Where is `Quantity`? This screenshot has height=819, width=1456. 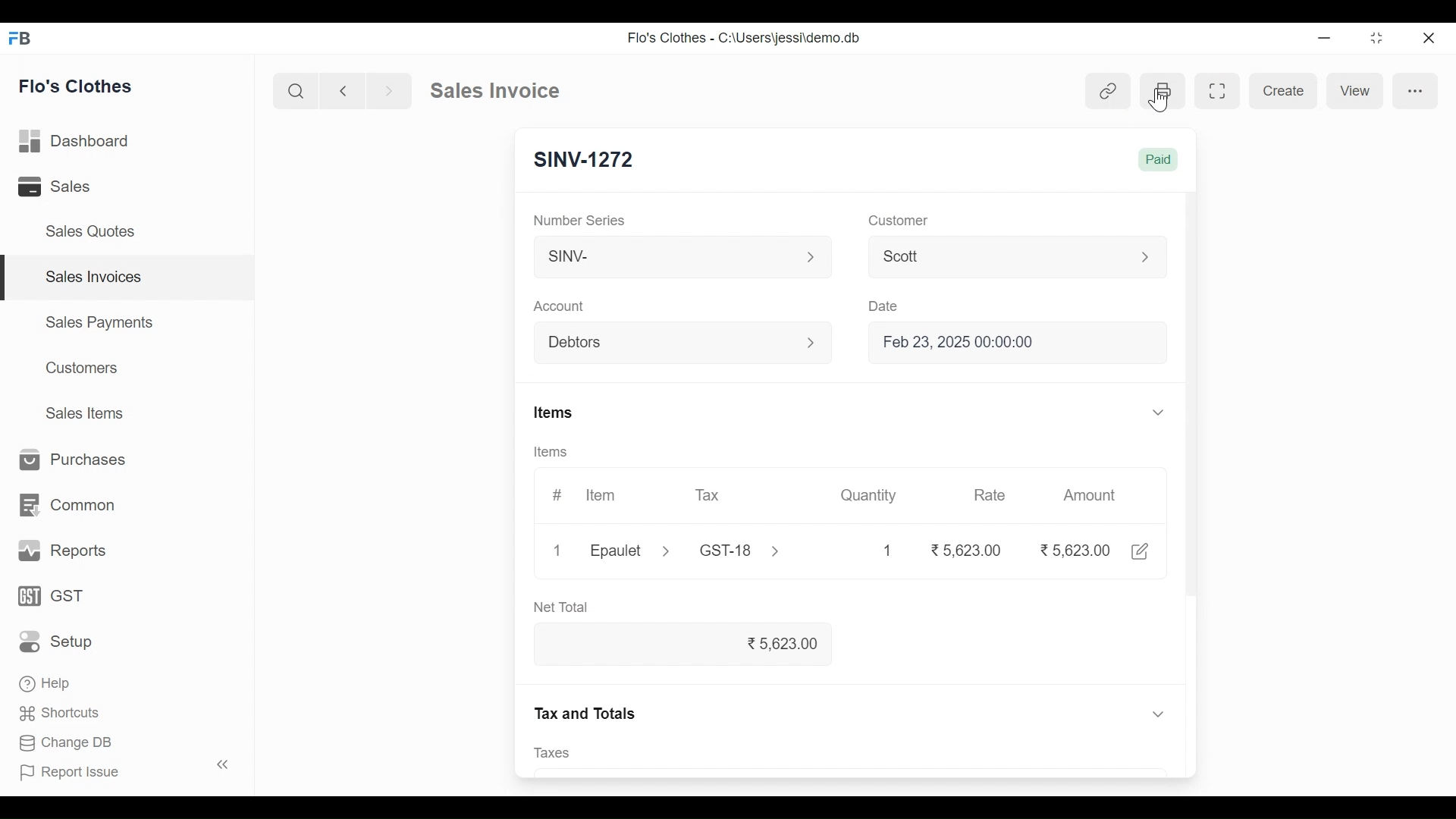
Quantity is located at coordinates (871, 497).